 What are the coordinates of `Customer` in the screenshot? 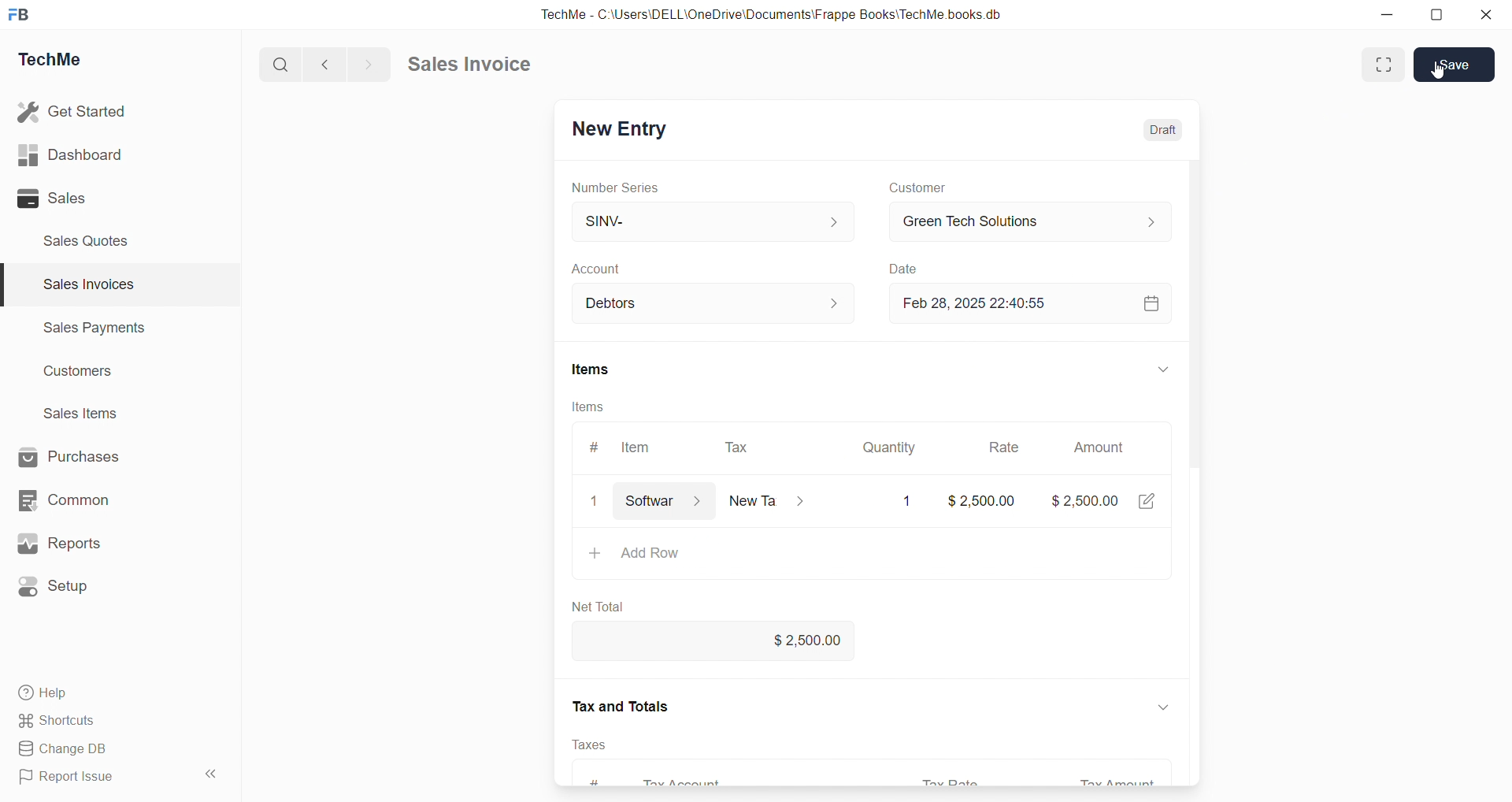 It's located at (918, 188).